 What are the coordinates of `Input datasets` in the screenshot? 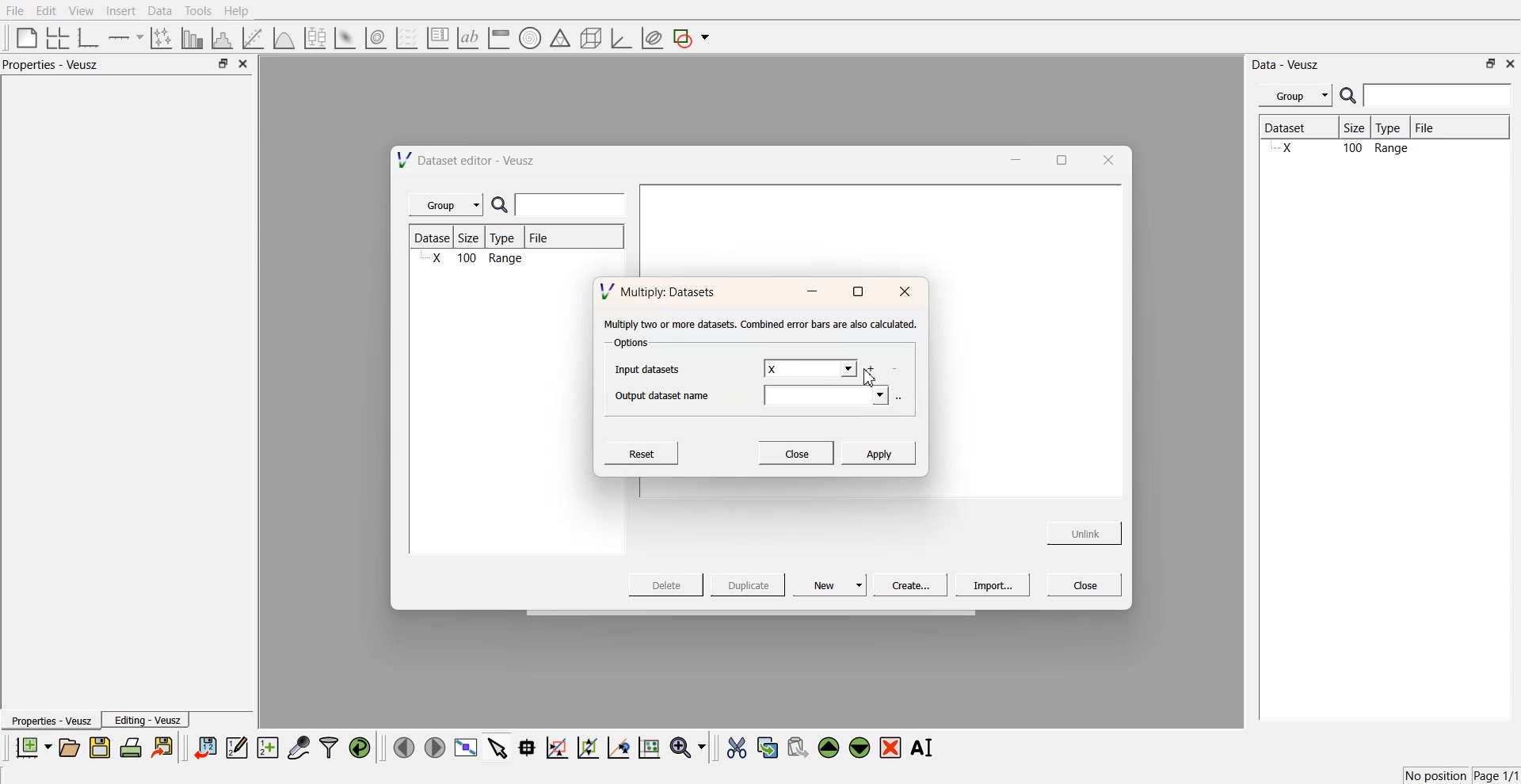 It's located at (651, 368).